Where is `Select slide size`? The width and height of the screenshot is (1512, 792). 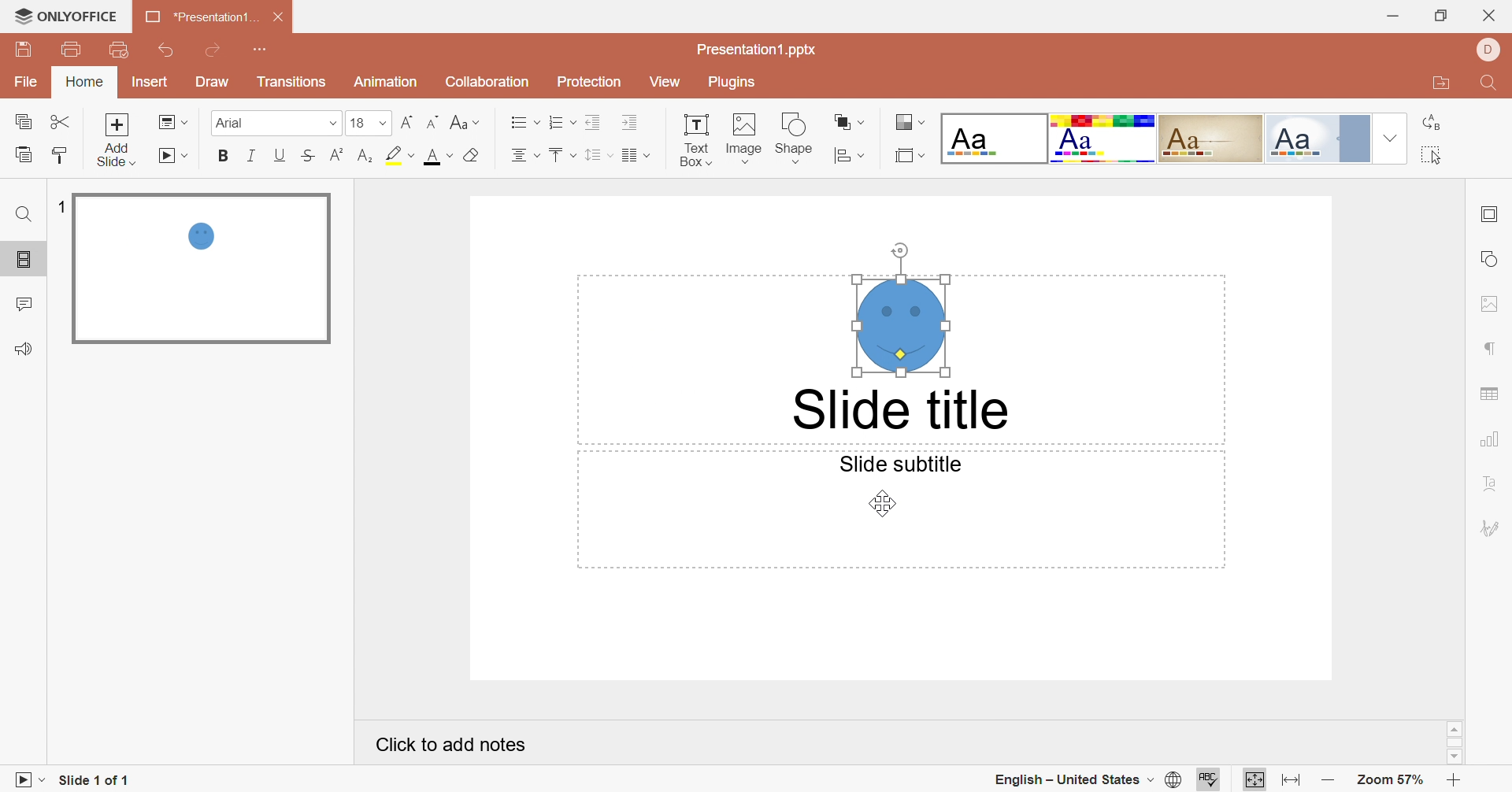 Select slide size is located at coordinates (910, 156).